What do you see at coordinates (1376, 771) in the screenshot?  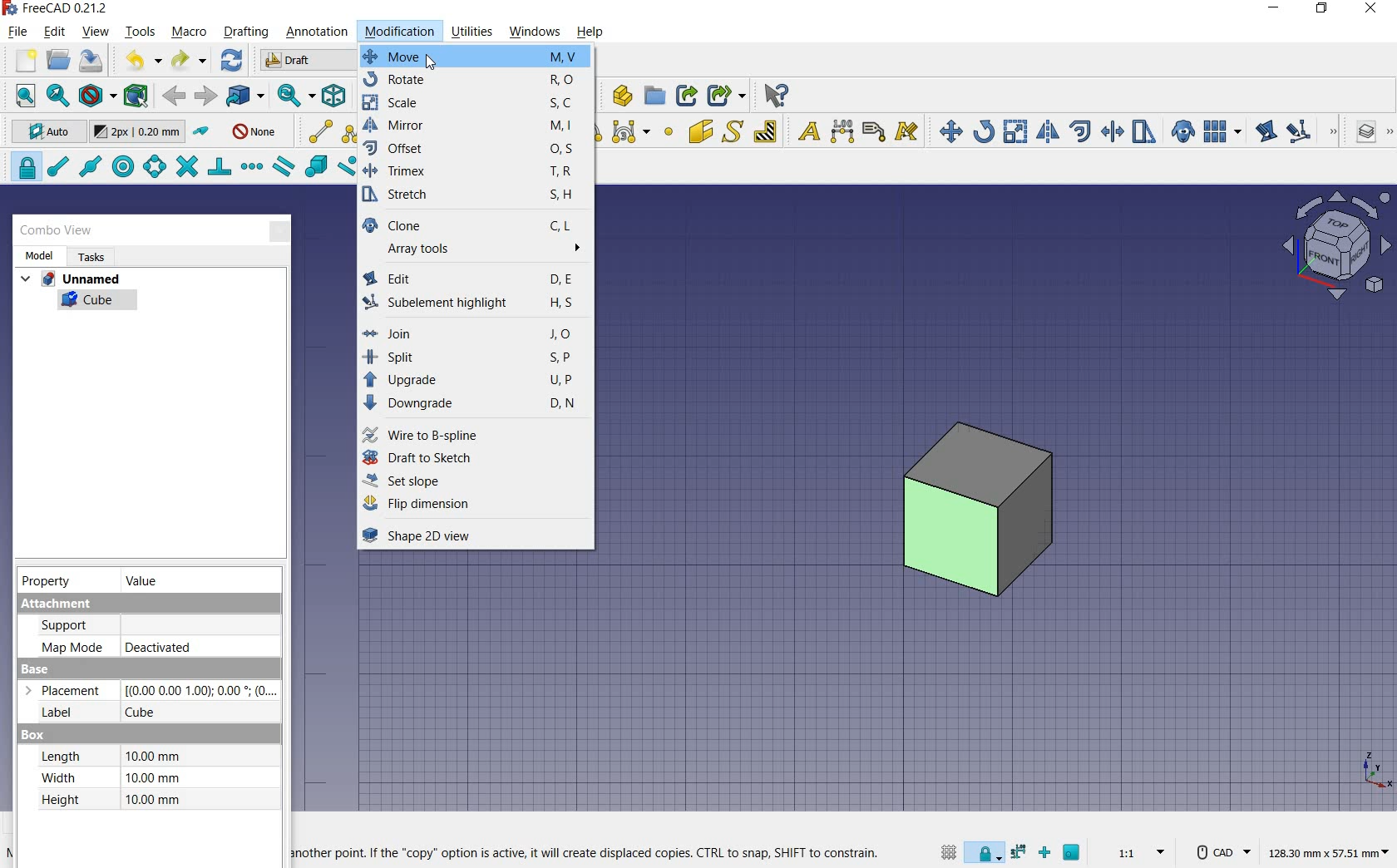 I see `xyz point` at bounding box center [1376, 771].